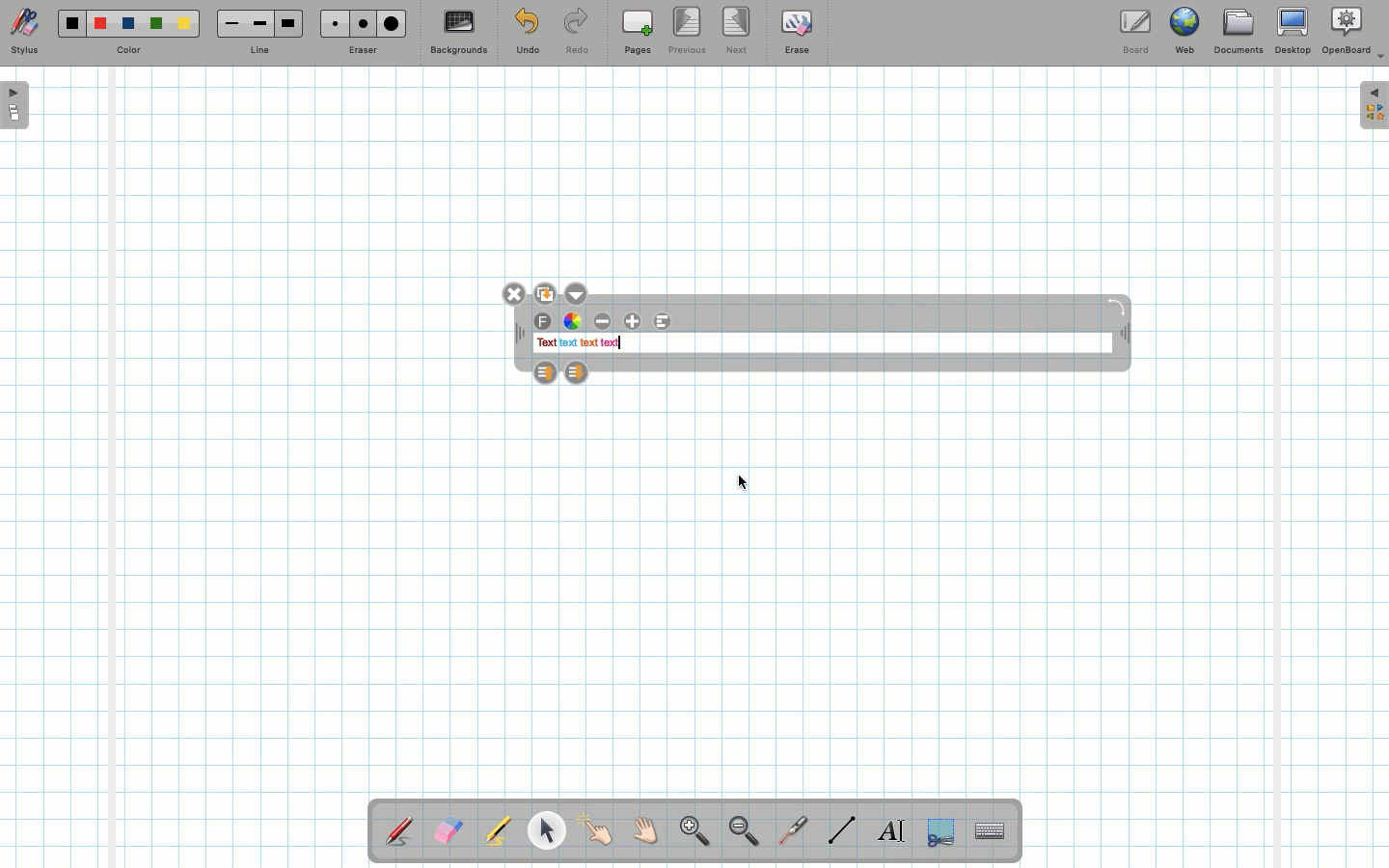  I want to click on Next, so click(738, 29).